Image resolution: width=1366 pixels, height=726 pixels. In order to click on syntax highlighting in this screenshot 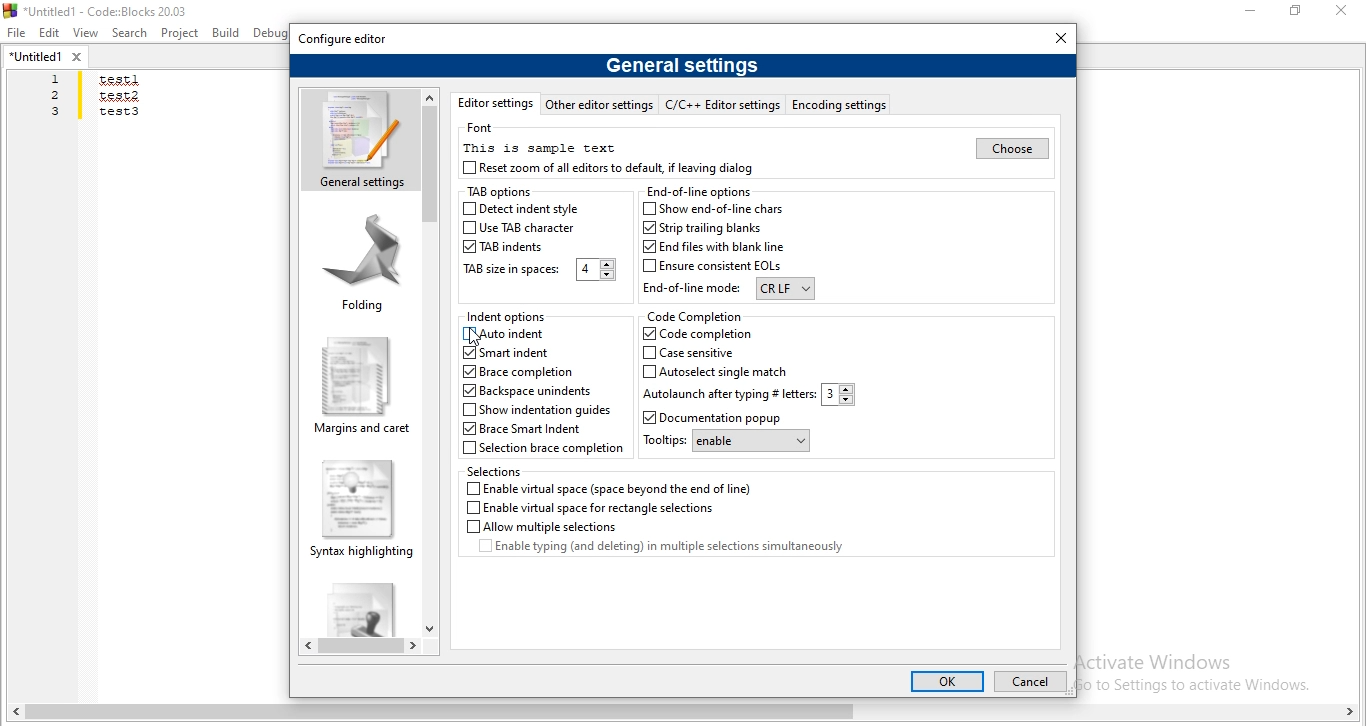, I will do `click(361, 508)`.